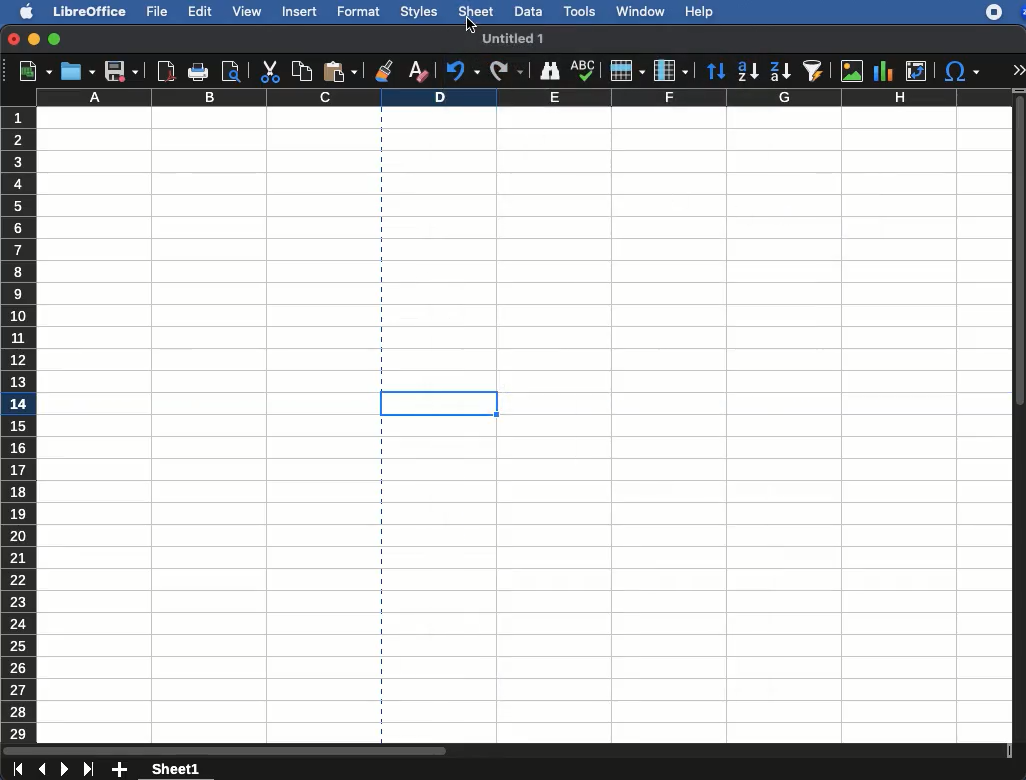 This screenshot has width=1026, height=780. I want to click on row, so click(627, 70).